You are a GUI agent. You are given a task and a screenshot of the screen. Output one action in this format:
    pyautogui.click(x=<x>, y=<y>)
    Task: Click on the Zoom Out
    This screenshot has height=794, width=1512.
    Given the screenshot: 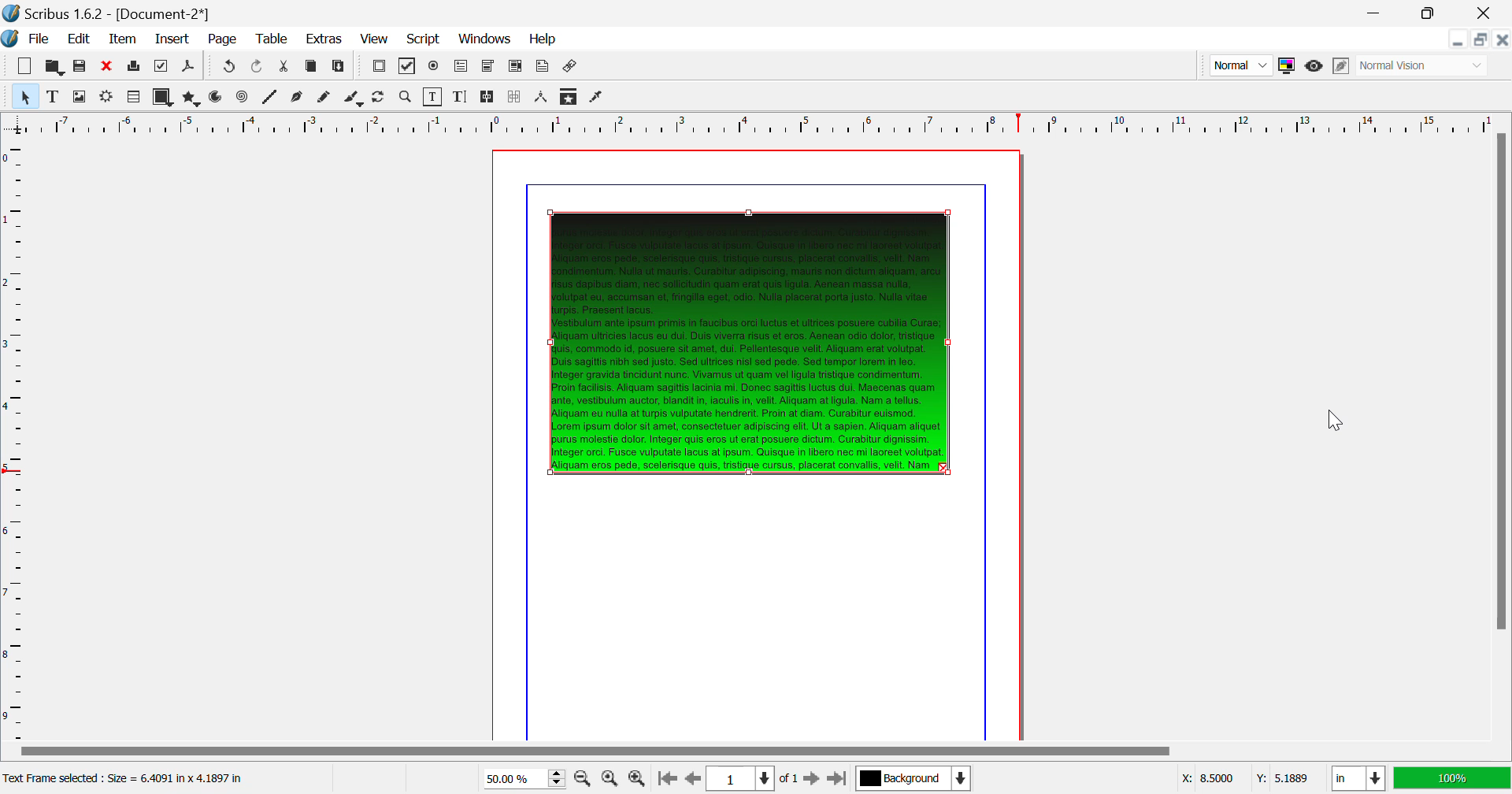 What is the action you would take?
    pyautogui.click(x=584, y=777)
    